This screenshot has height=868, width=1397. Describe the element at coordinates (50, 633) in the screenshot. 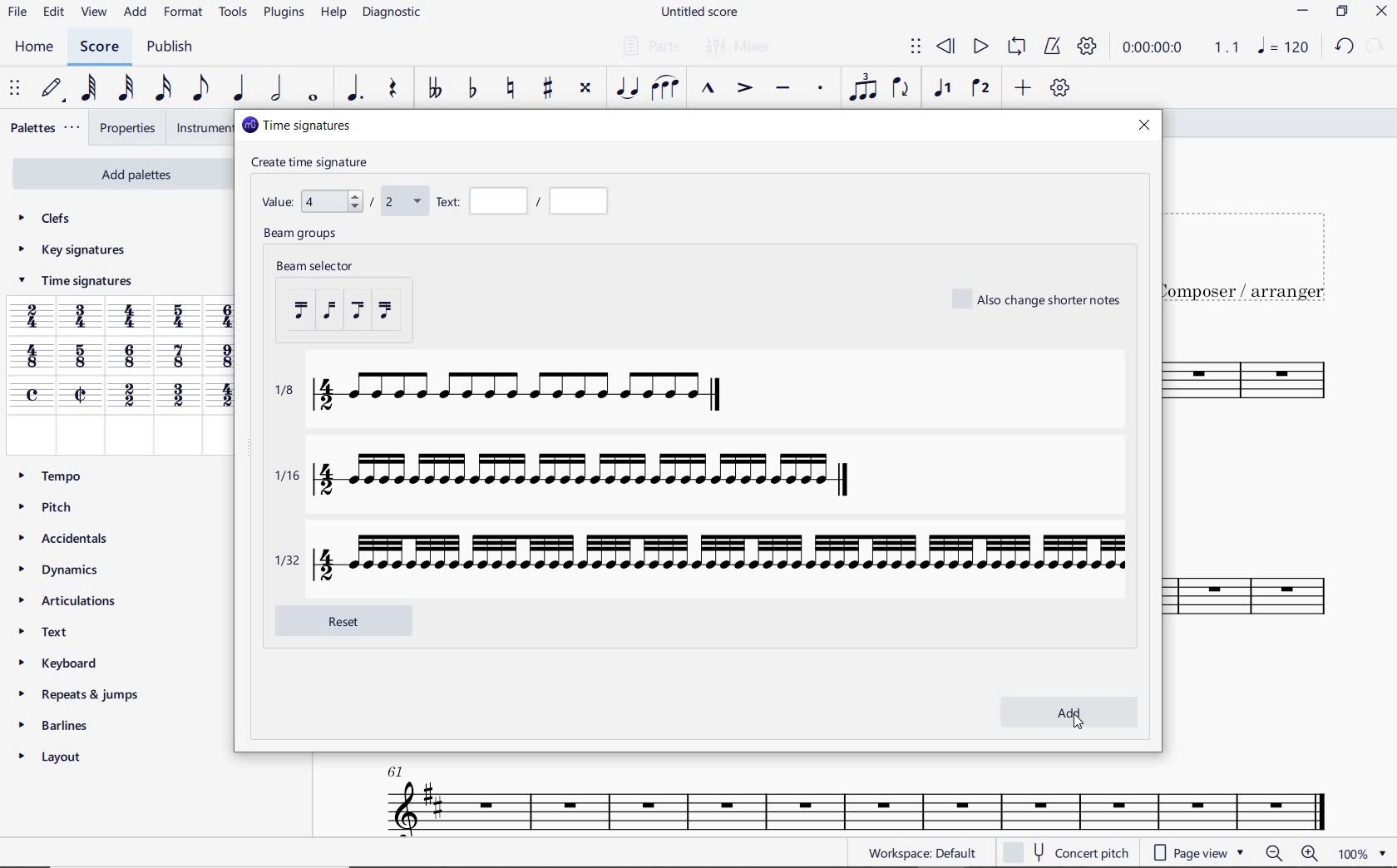

I see `TEXT` at that location.